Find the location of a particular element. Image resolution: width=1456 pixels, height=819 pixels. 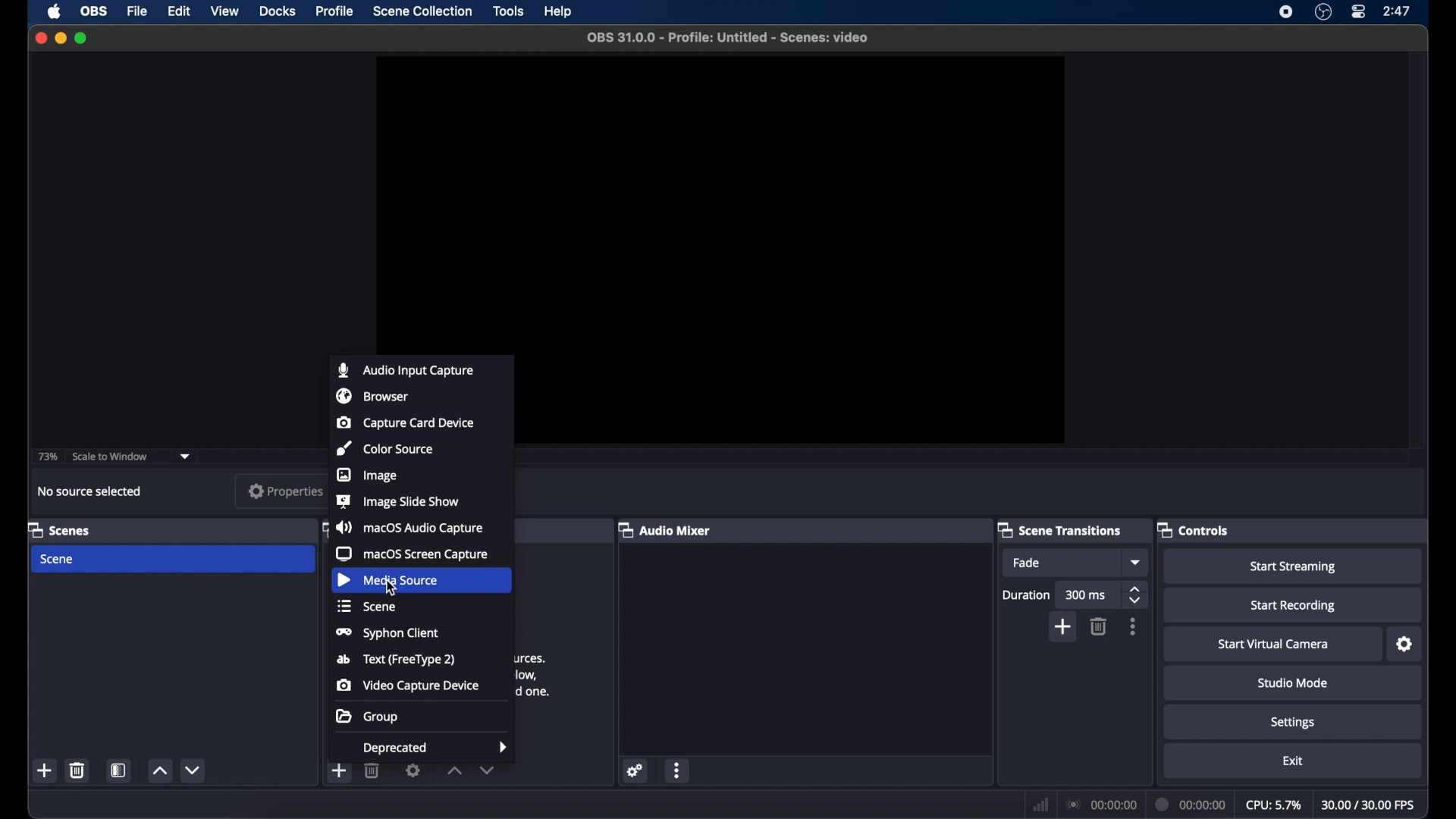

dropdown is located at coordinates (186, 457).